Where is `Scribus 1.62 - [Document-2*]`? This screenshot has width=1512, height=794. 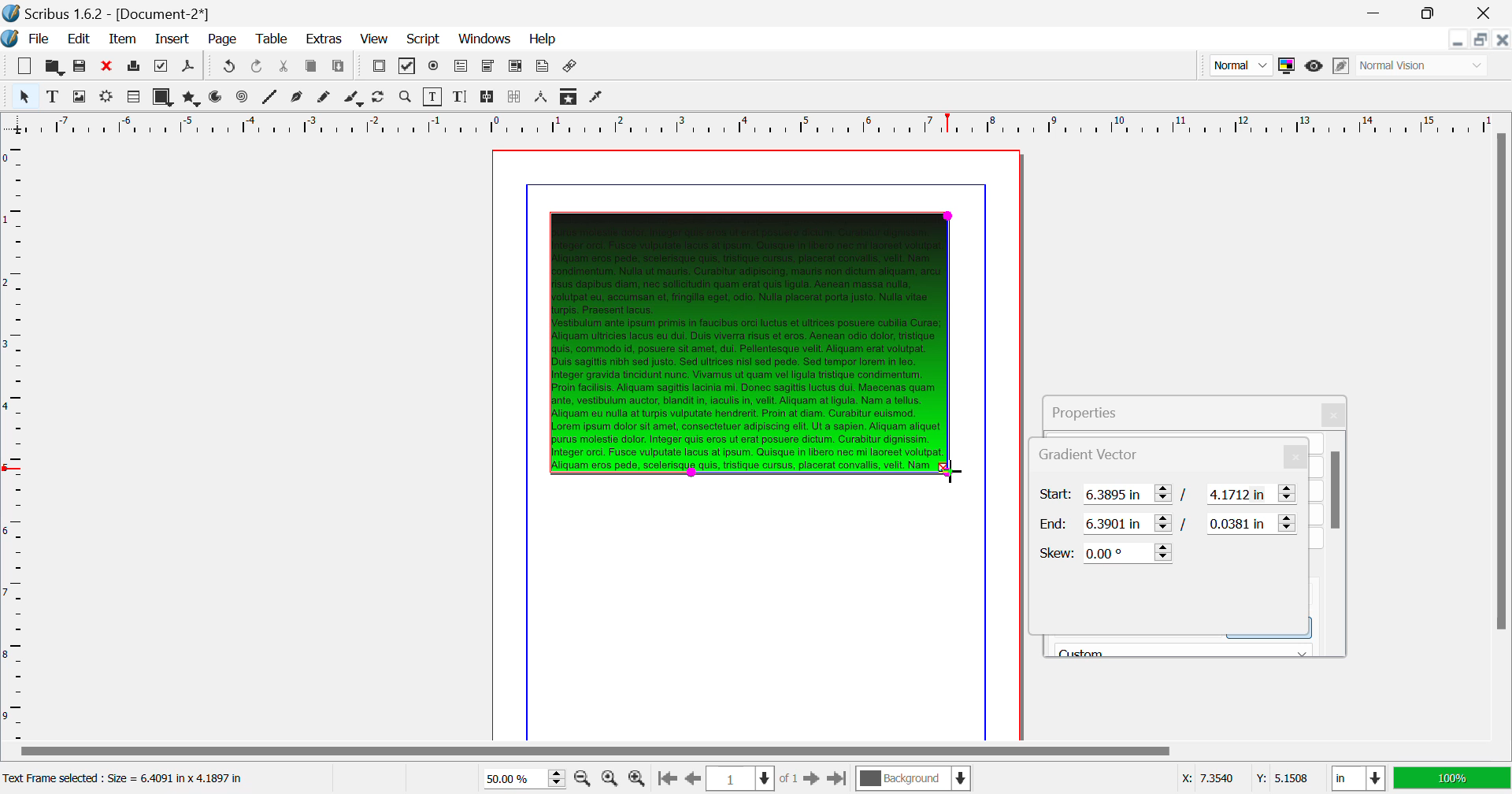
Scribus 1.62 - [Document-2*] is located at coordinates (108, 13).